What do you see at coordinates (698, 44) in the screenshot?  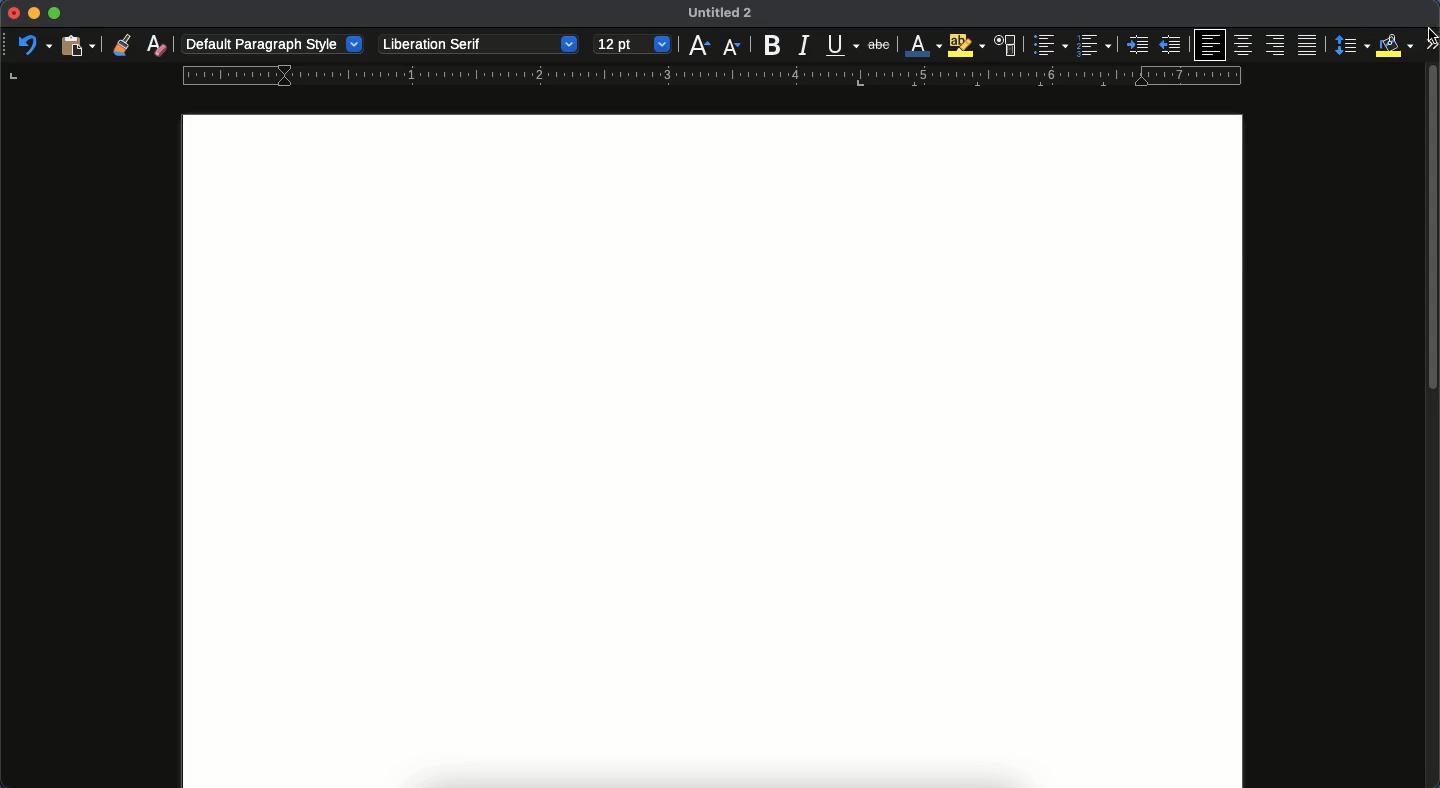 I see `decrease size` at bounding box center [698, 44].